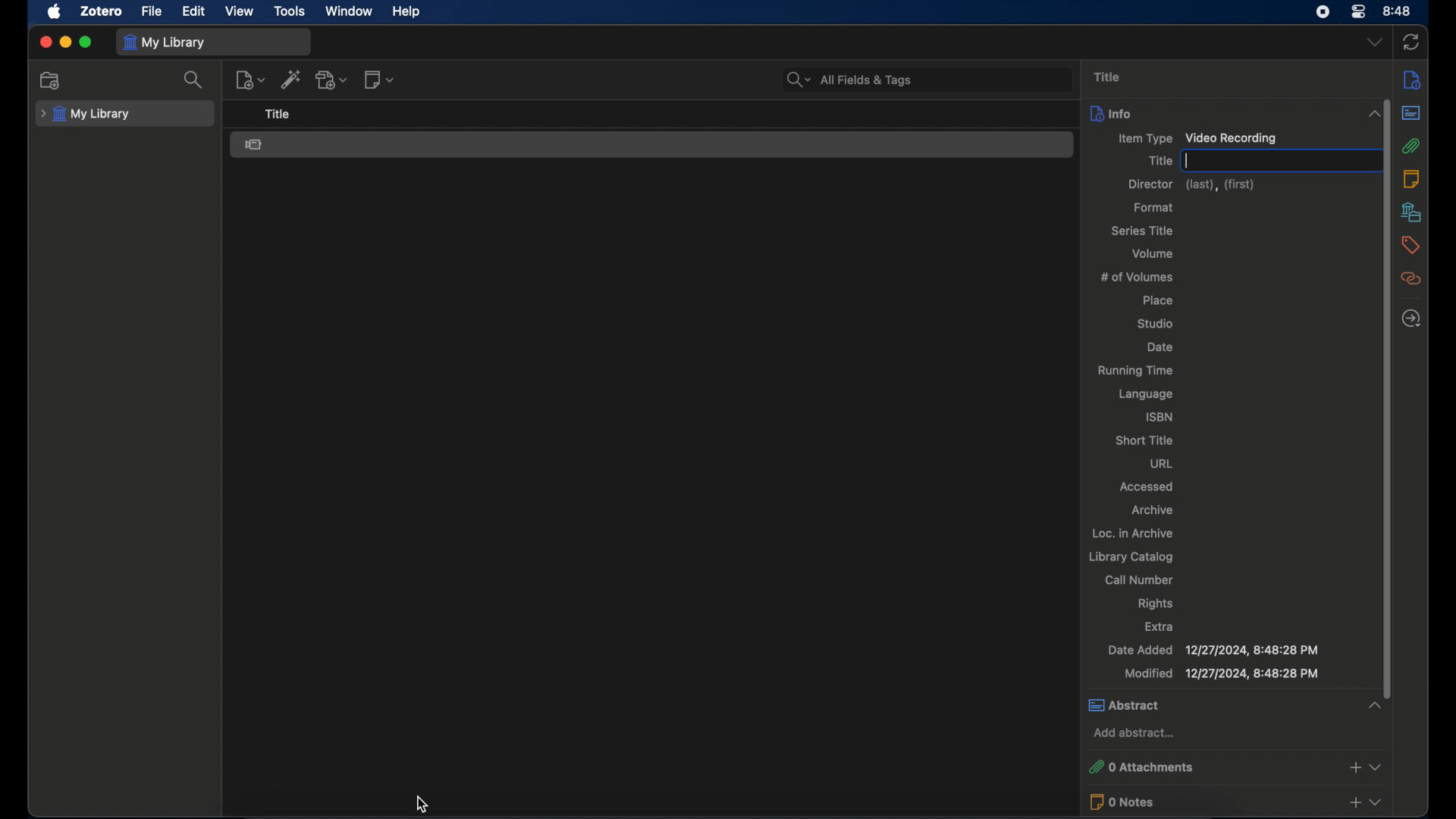  Describe the element at coordinates (238, 11) in the screenshot. I see `view` at that location.